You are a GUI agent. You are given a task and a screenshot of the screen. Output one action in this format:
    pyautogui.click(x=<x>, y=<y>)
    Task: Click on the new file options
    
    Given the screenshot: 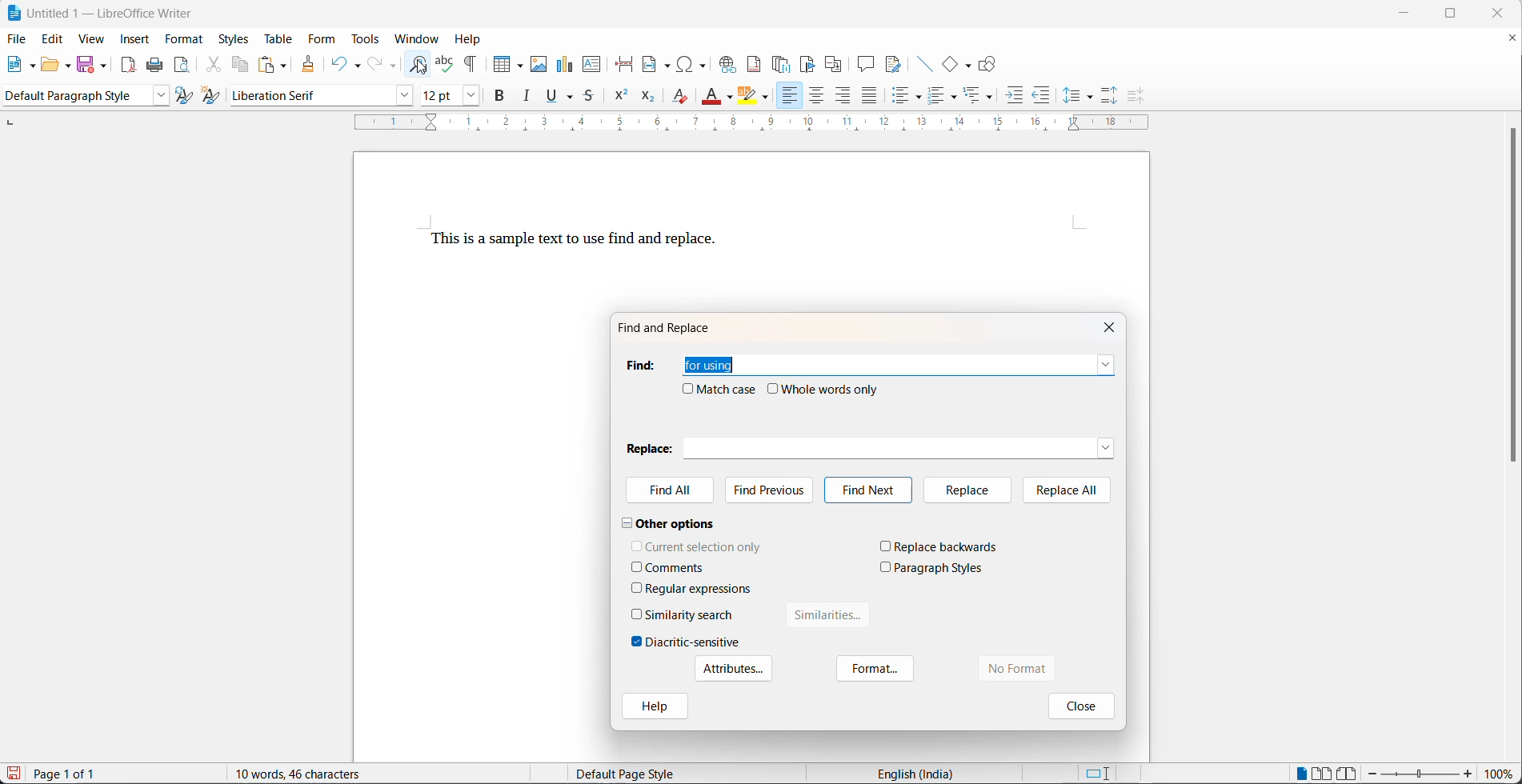 What is the action you would take?
    pyautogui.click(x=34, y=66)
    